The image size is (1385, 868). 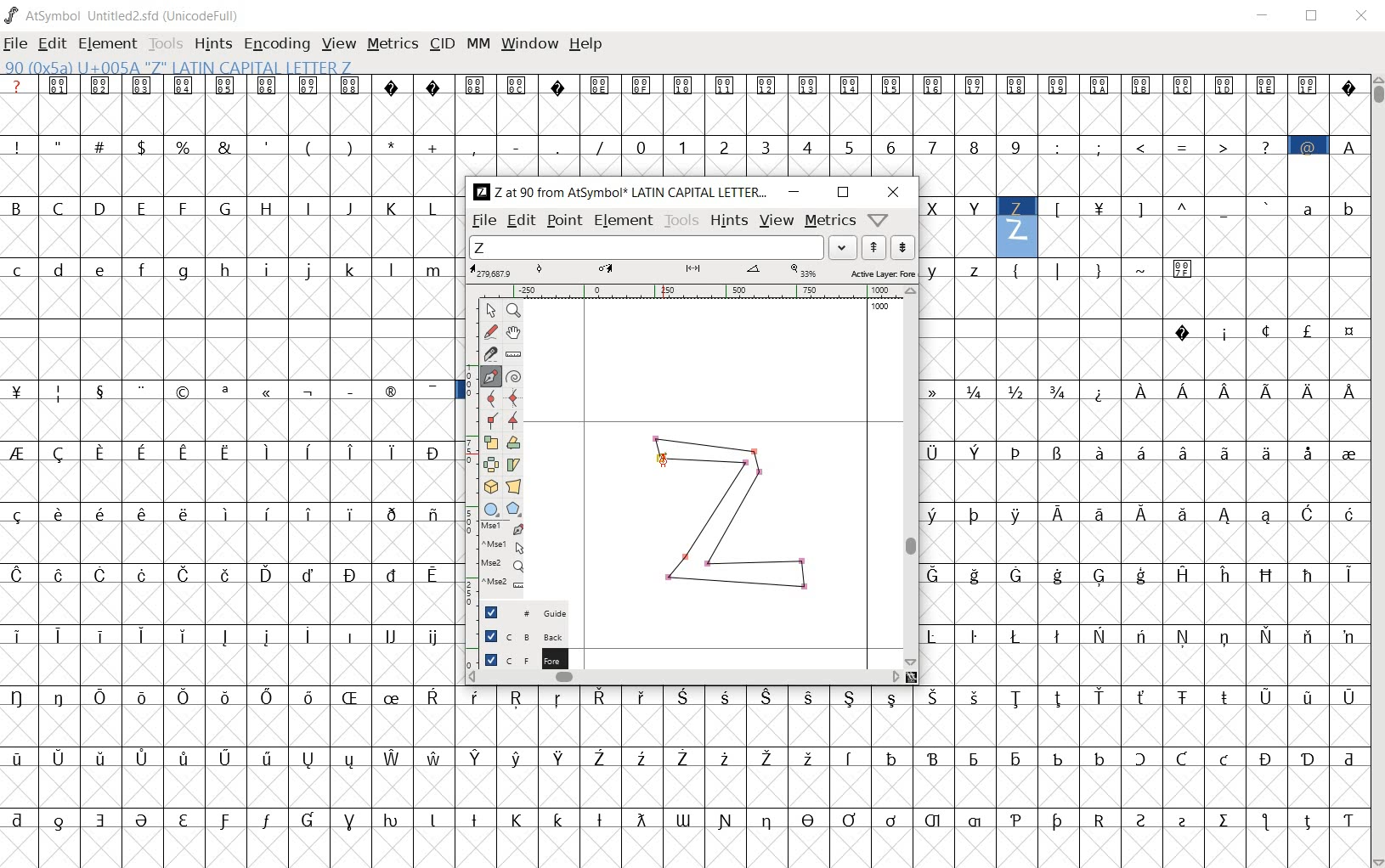 I want to click on encoding, so click(x=275, y=44).